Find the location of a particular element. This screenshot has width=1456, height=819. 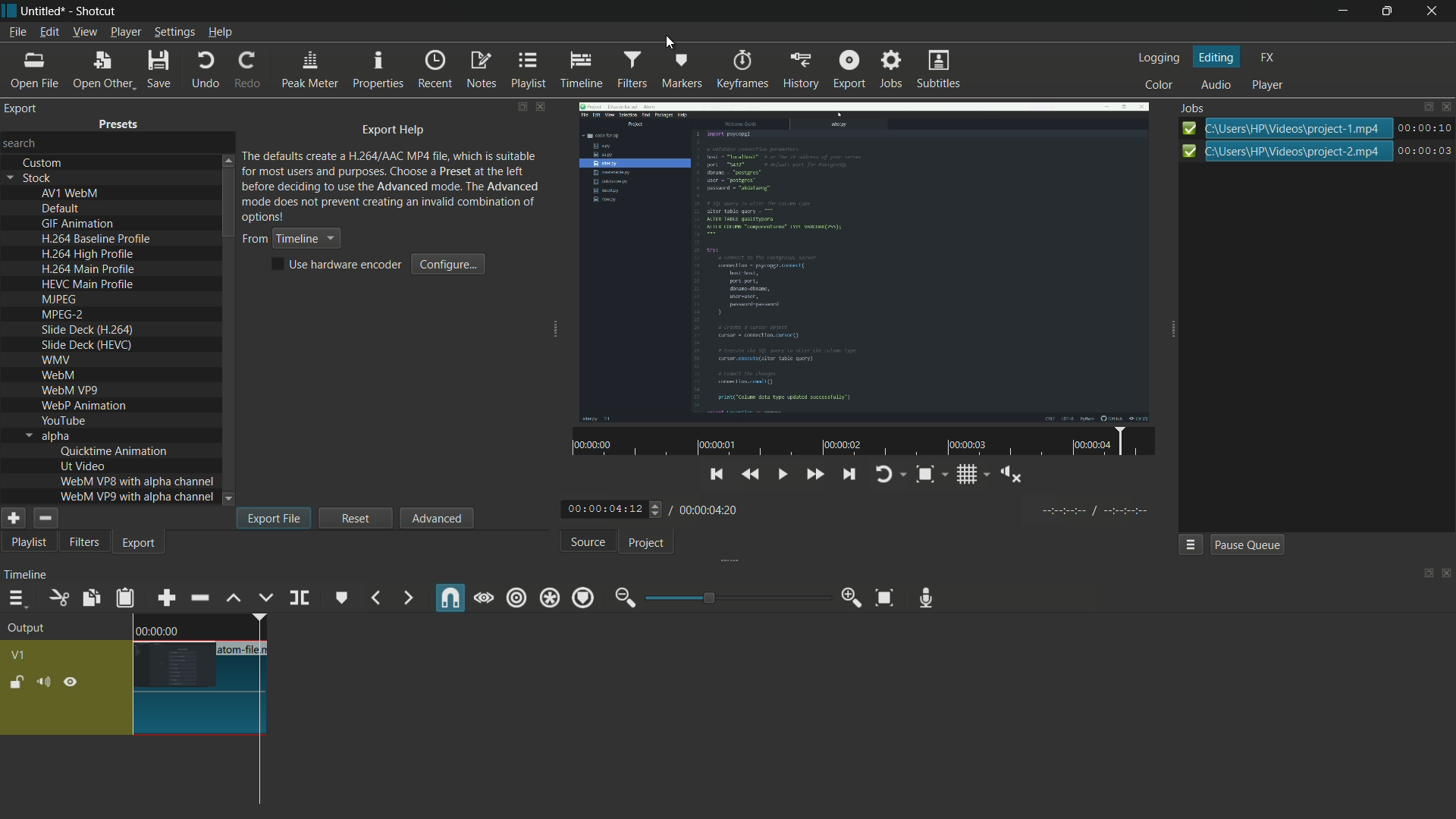

pause queue is located at coordinates (1245, 544).